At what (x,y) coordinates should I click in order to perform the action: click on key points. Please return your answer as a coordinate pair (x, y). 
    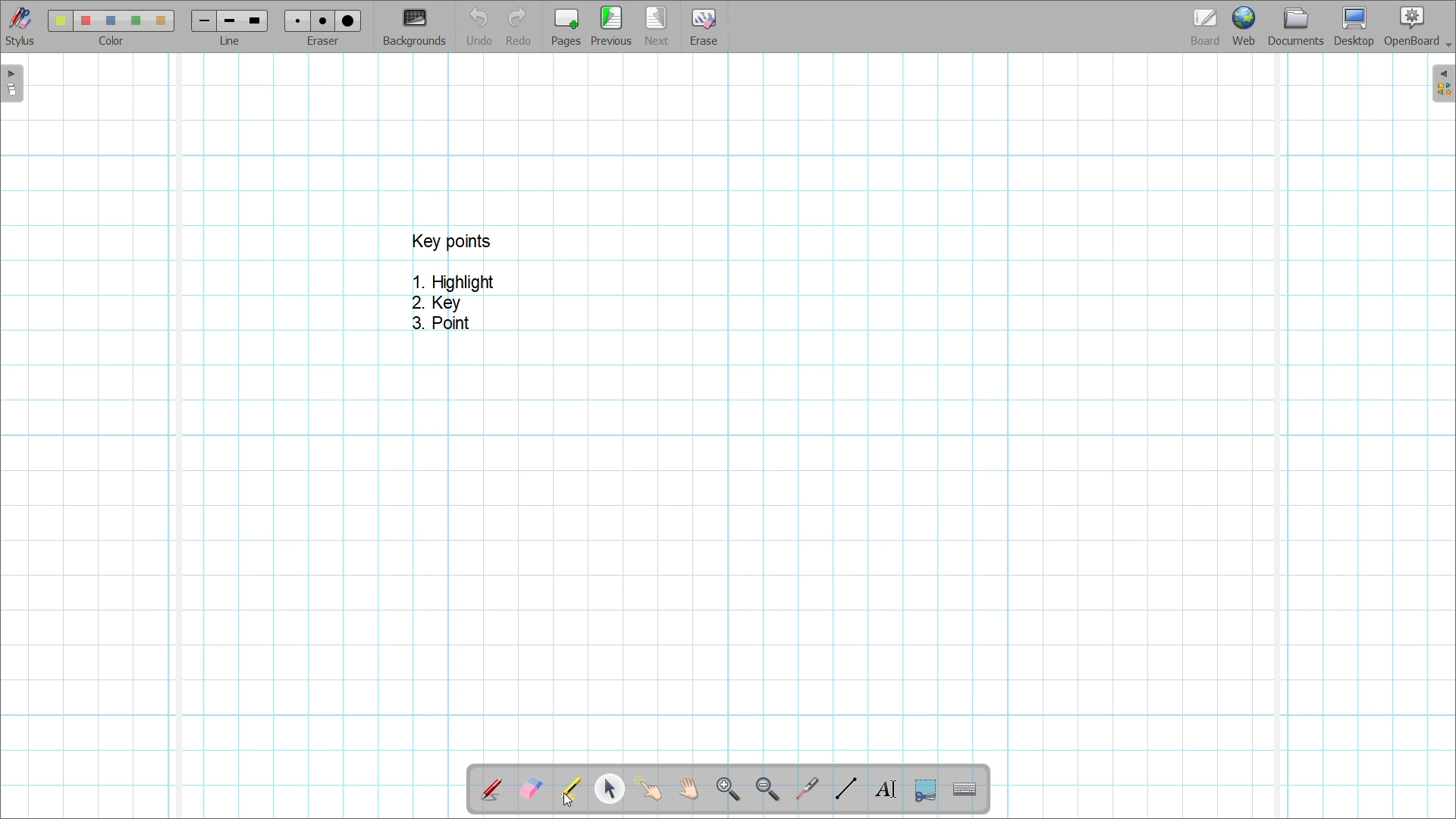
    Looking at the image, I should click on (450, 241).